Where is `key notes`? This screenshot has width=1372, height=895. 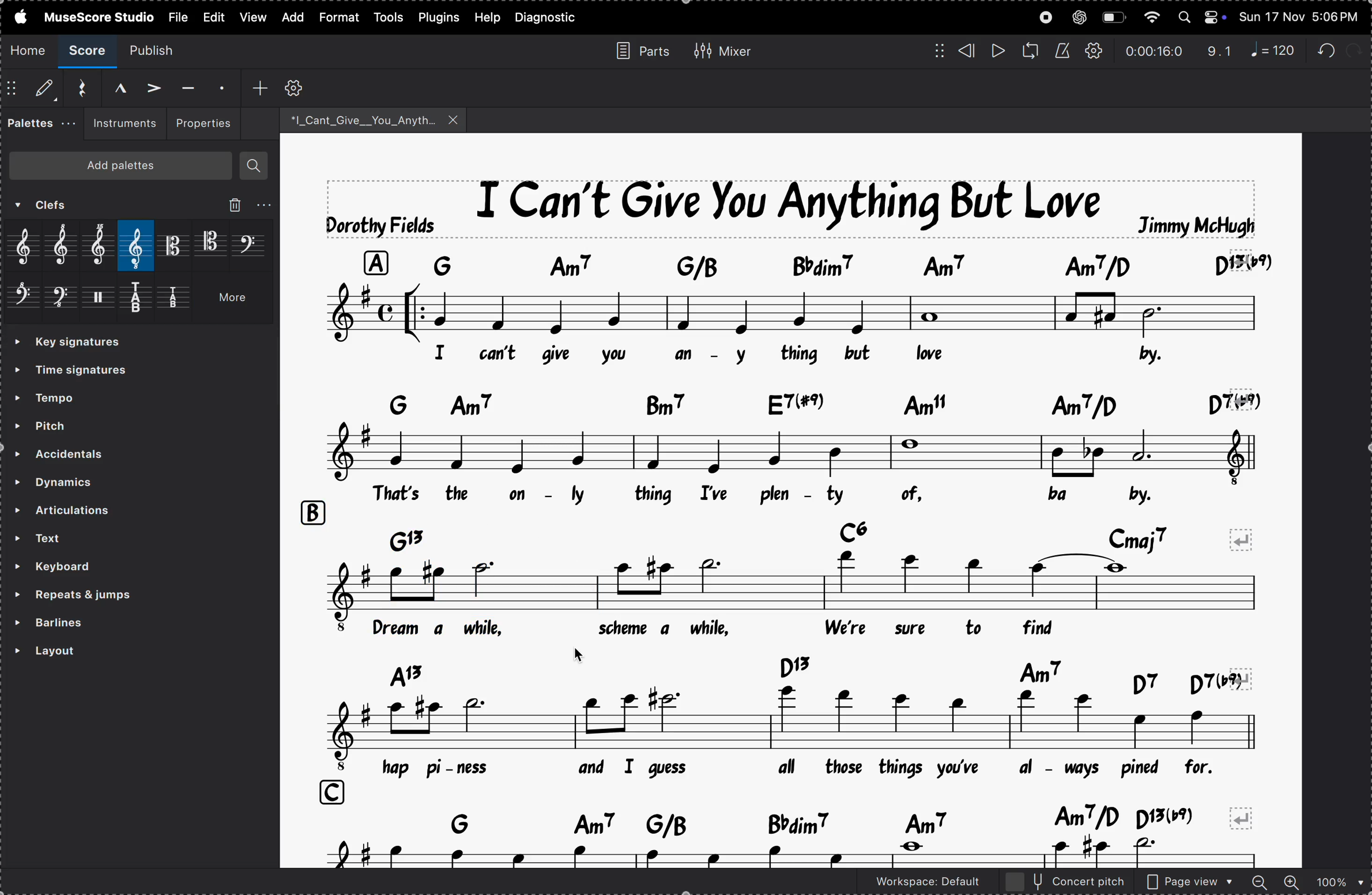
key notes is located at coordinates (824, 539).